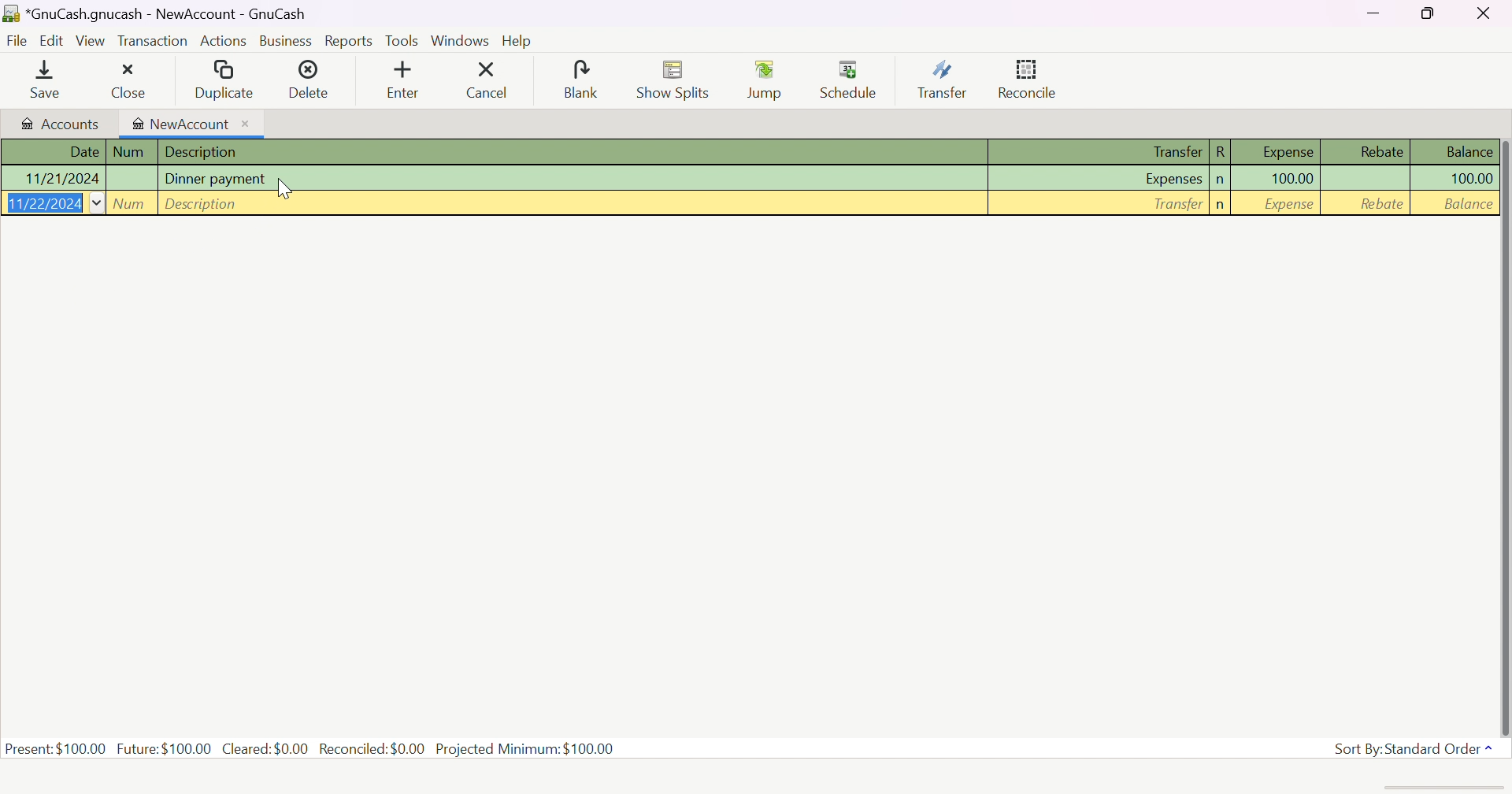 The height and width of the screenshot is (794, 1512). What do you see at coordinates (285, 189) in the screenshot?
I see `Cursor` at bounding box center [285, 189].